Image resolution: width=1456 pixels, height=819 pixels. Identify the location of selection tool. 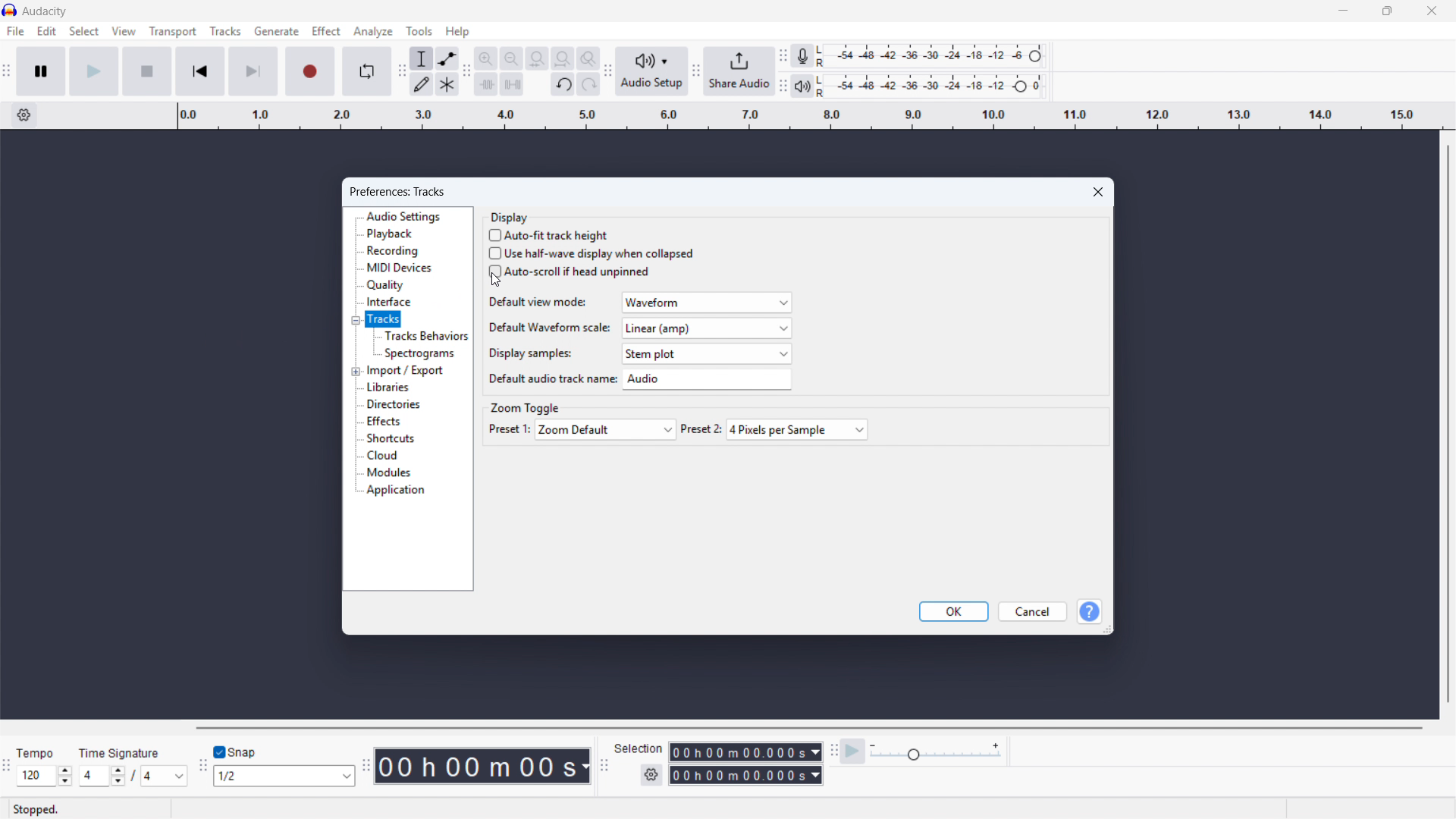
(422, 58).